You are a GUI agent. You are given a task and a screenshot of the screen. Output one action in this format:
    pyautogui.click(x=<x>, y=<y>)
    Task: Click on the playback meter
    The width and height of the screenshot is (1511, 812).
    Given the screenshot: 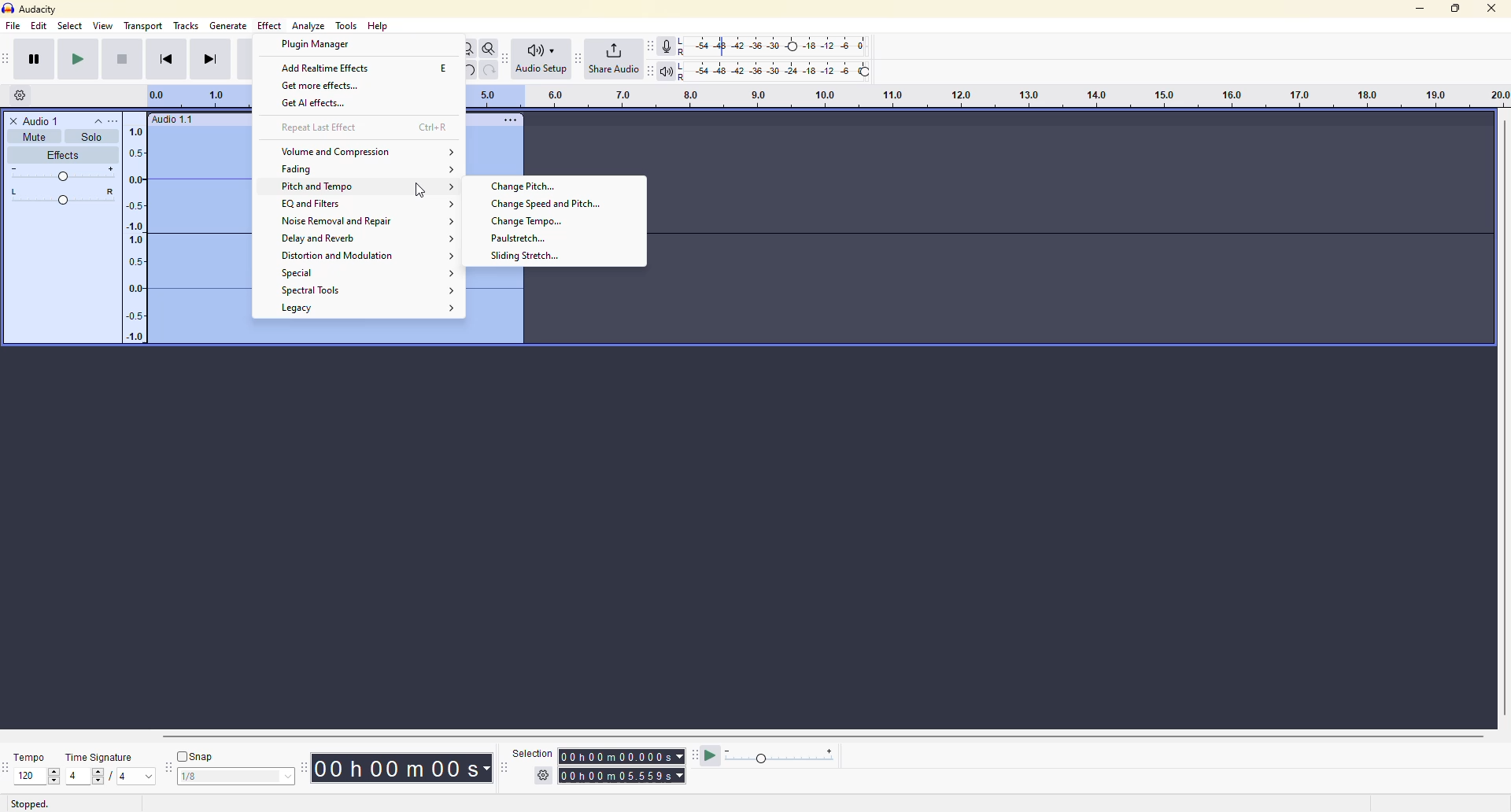 What is the action you would take?
    pyautogui.click(x=666, y=70)
    